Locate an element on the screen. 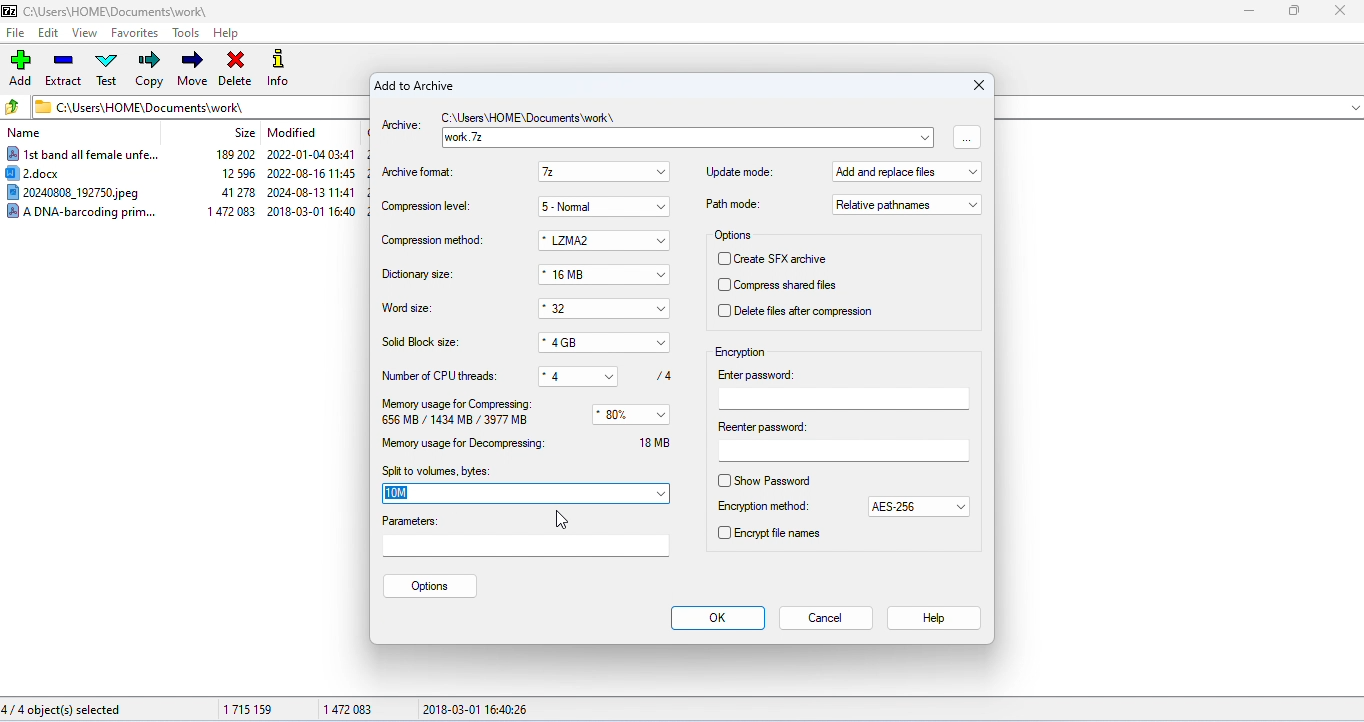 The image size is (1364, 722). 80% is located at coordinates (620, 415).